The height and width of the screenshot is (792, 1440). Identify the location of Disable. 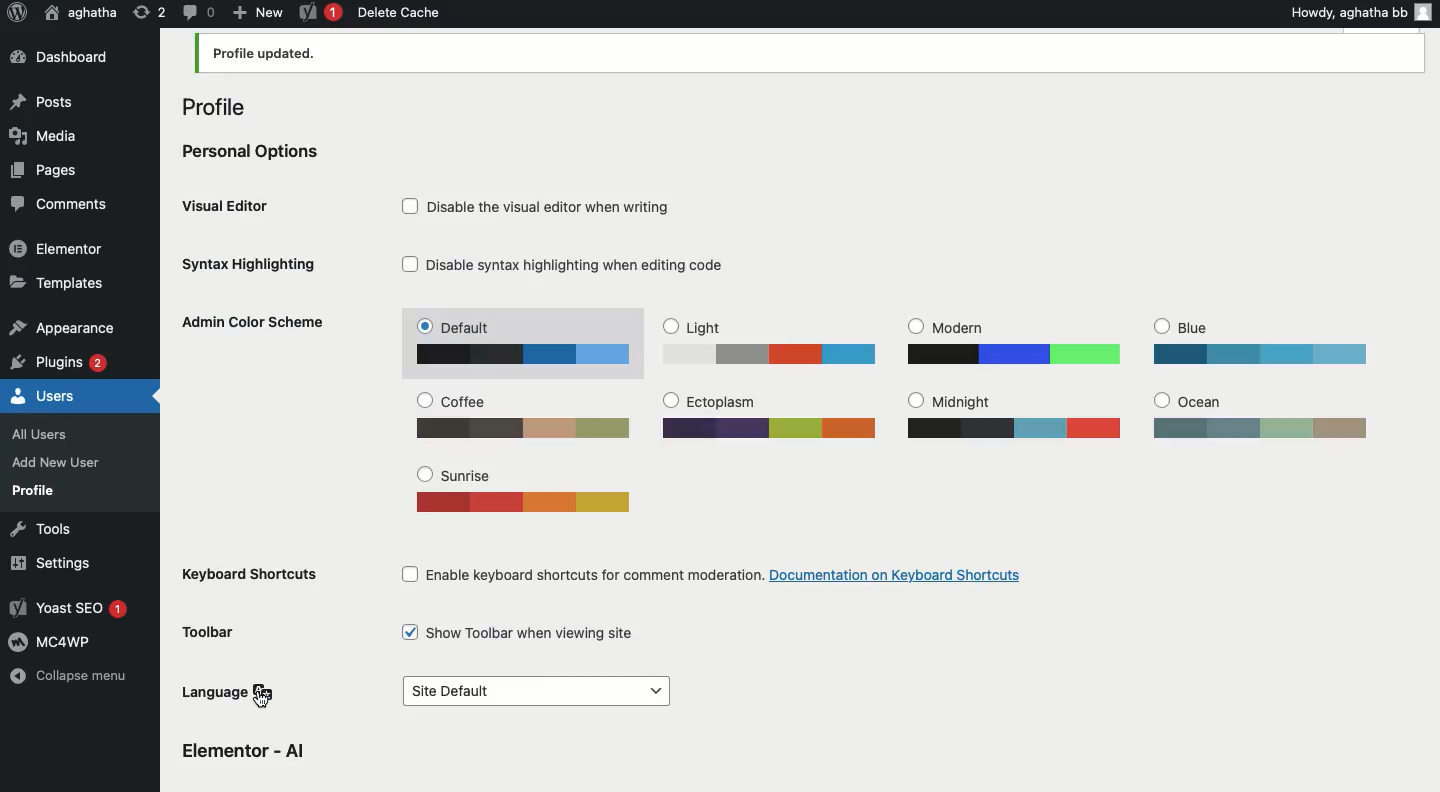
(567, 265).